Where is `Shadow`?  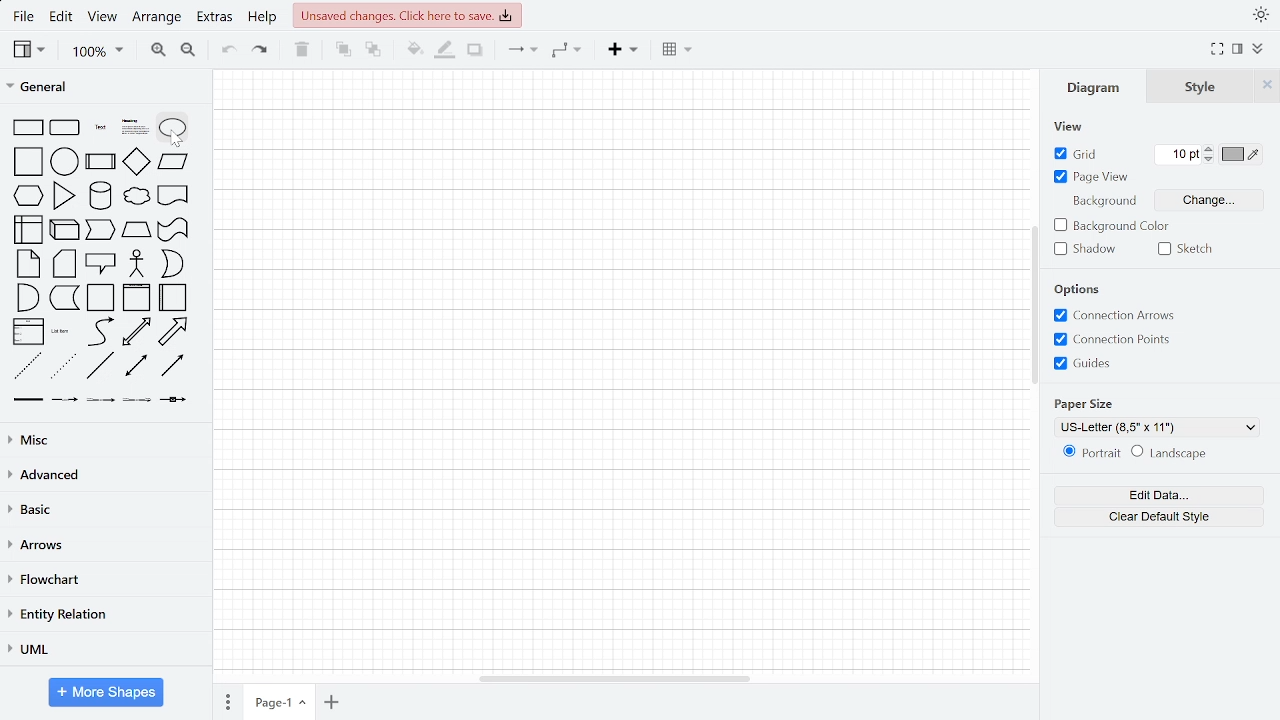 Shadow is located at coordinates (1086, 251).